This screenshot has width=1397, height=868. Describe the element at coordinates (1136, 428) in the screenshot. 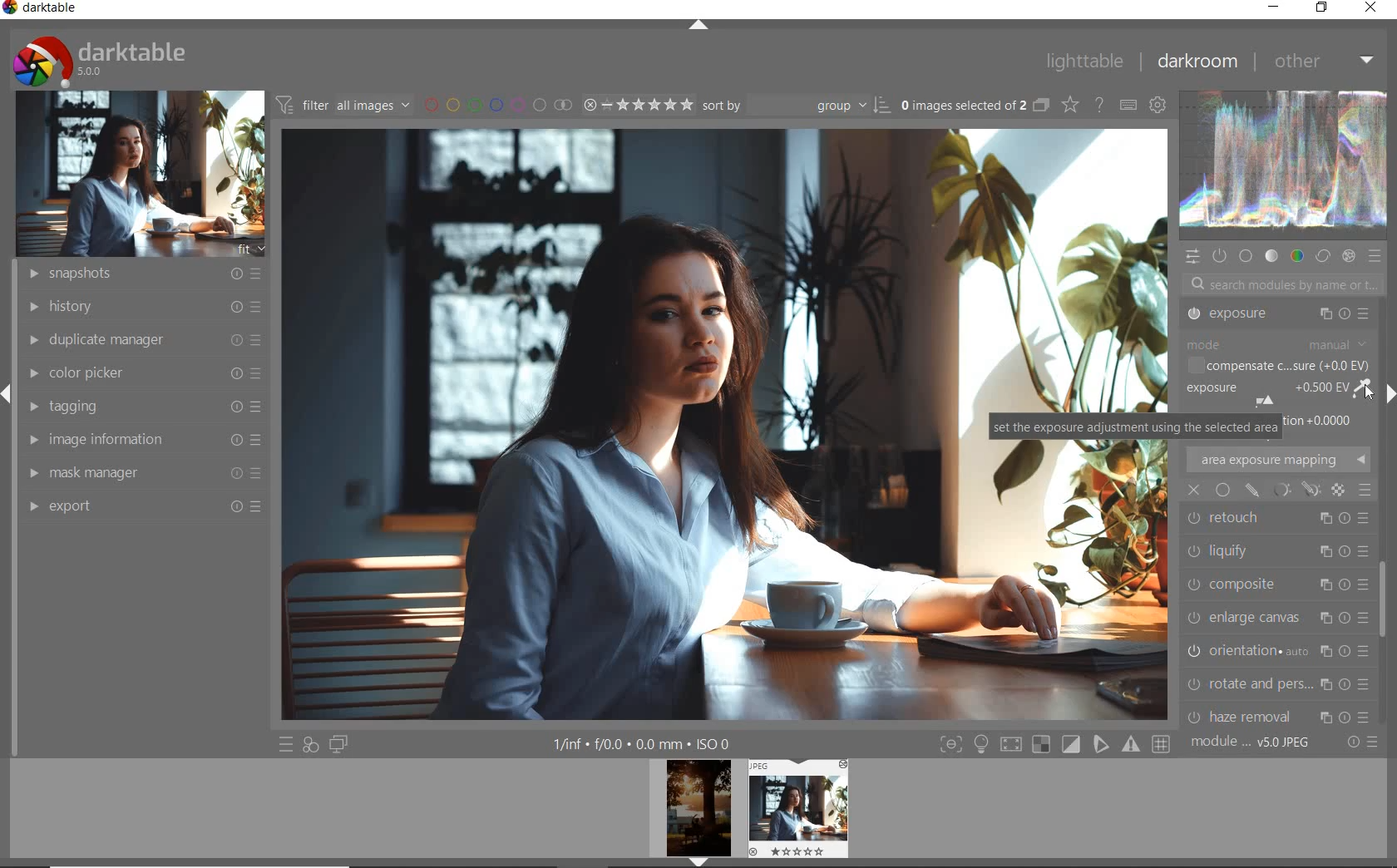

I see `set the exposure adjustment using the selected area` at that location.